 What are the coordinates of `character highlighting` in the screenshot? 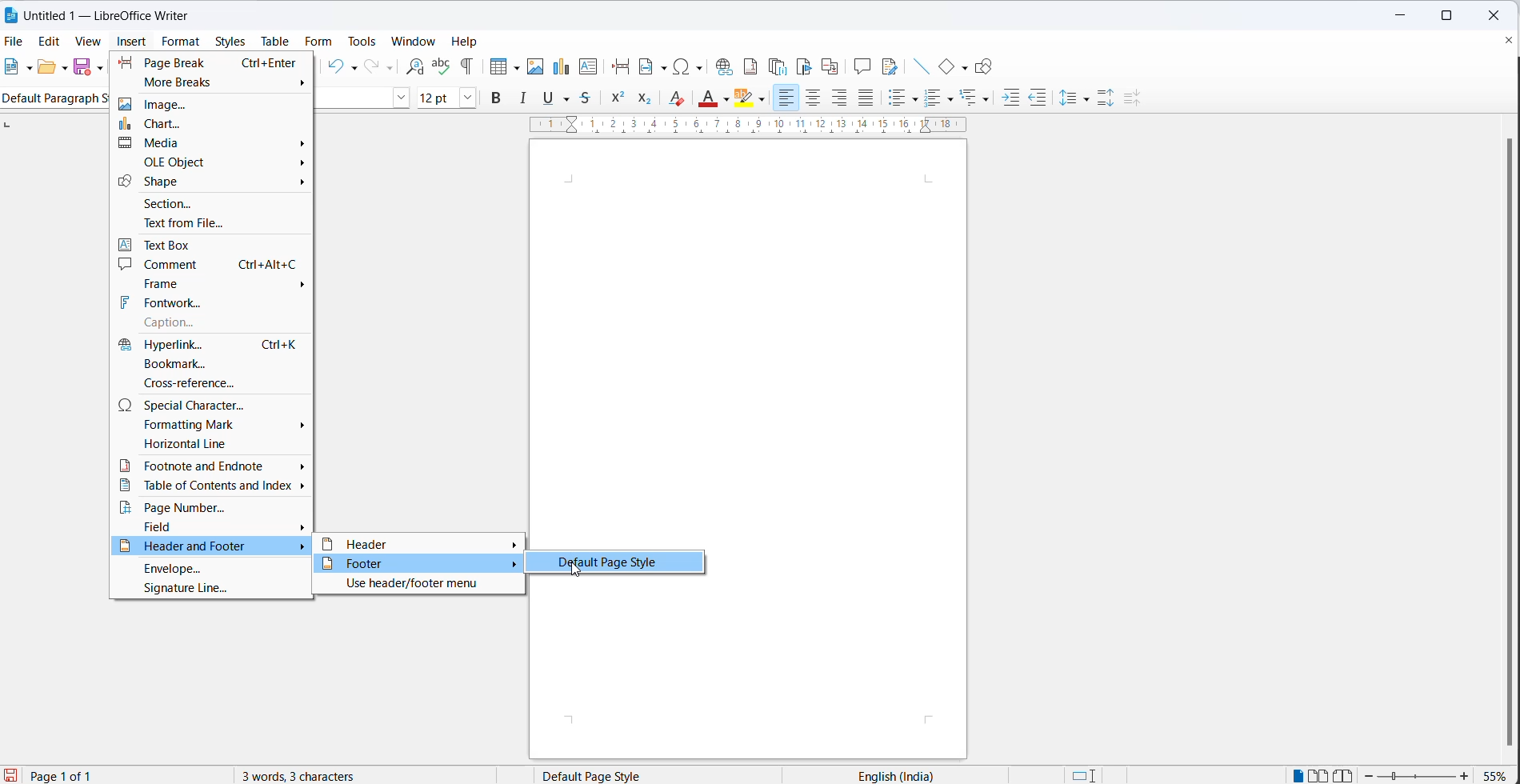 It's located at (763, 100).